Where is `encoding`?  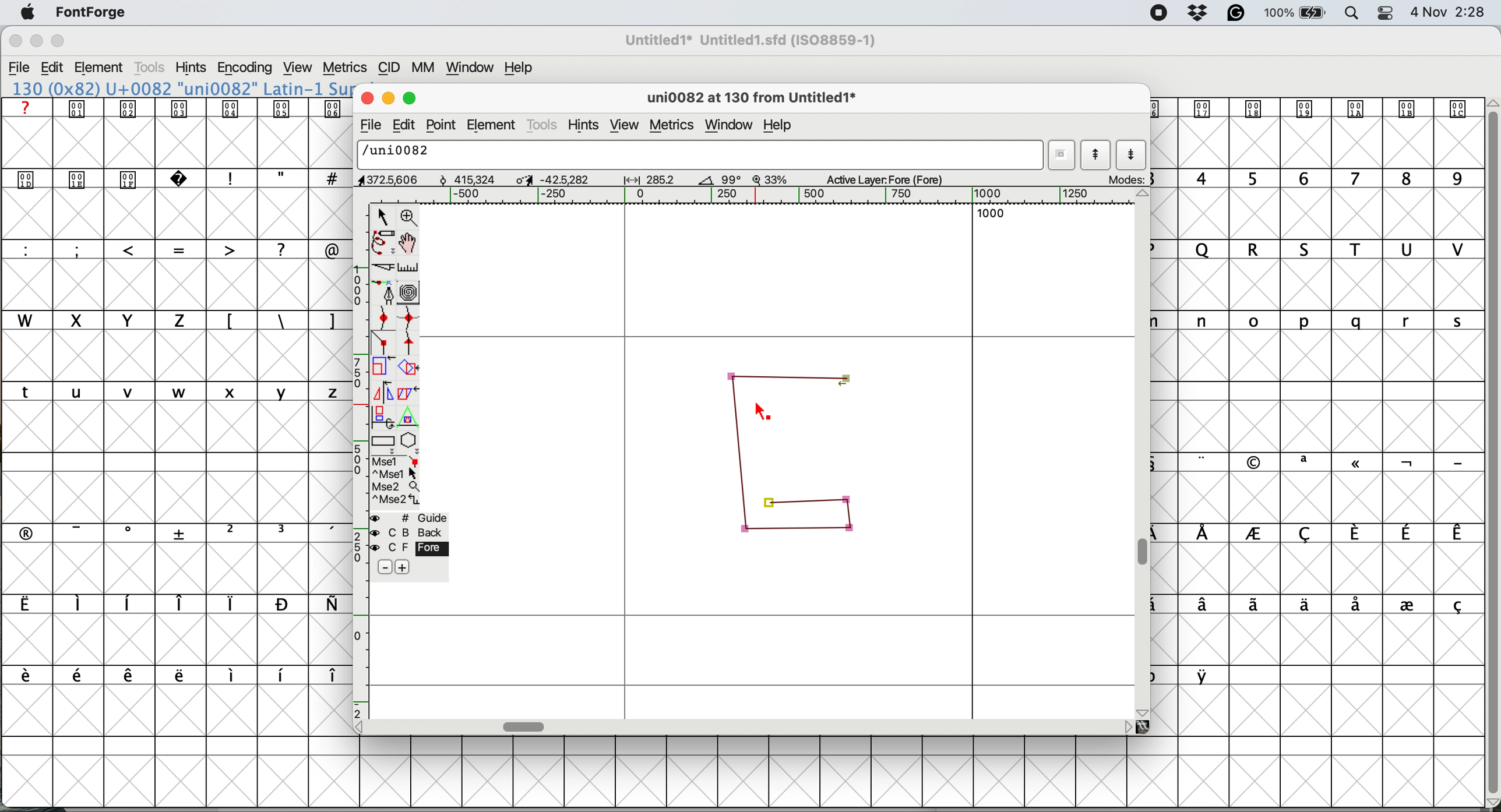 encoding is located at coordinates (246, 68).